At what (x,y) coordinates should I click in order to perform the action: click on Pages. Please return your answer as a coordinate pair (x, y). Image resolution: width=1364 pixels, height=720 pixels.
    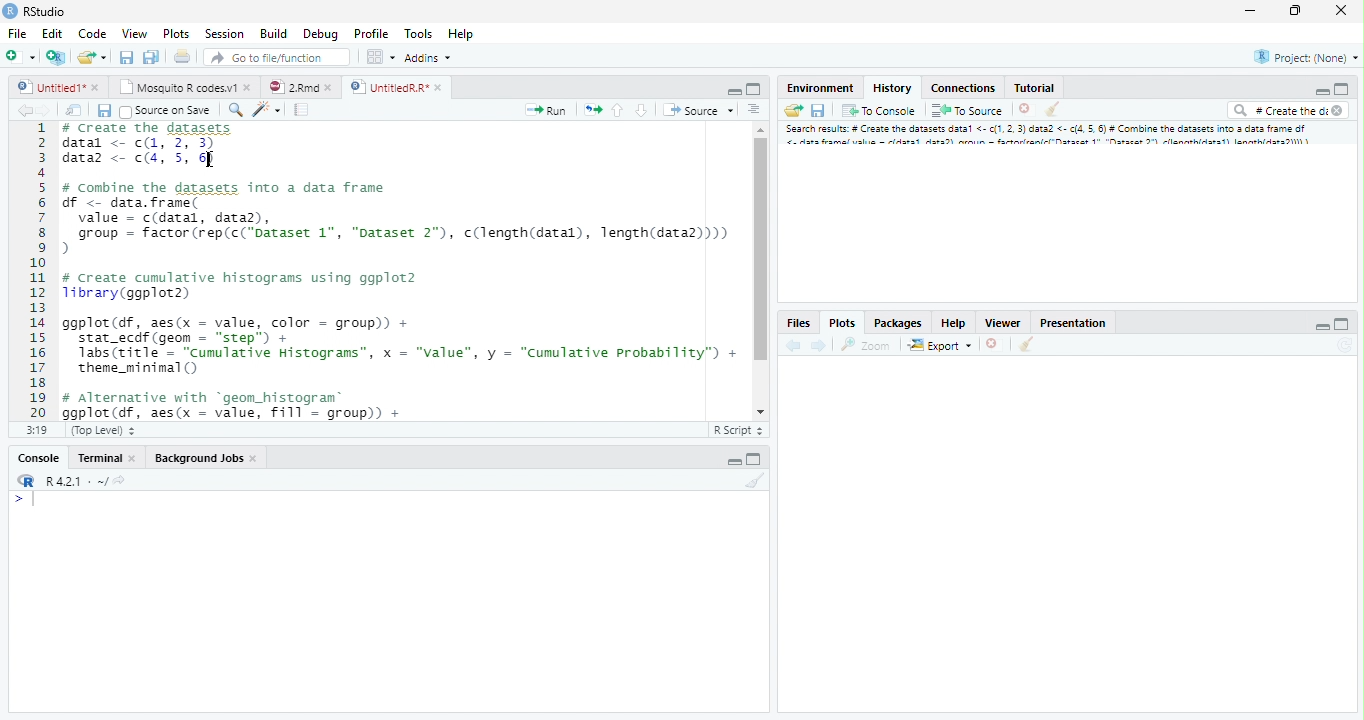
    Looking at the image, I should click on (300, 111).